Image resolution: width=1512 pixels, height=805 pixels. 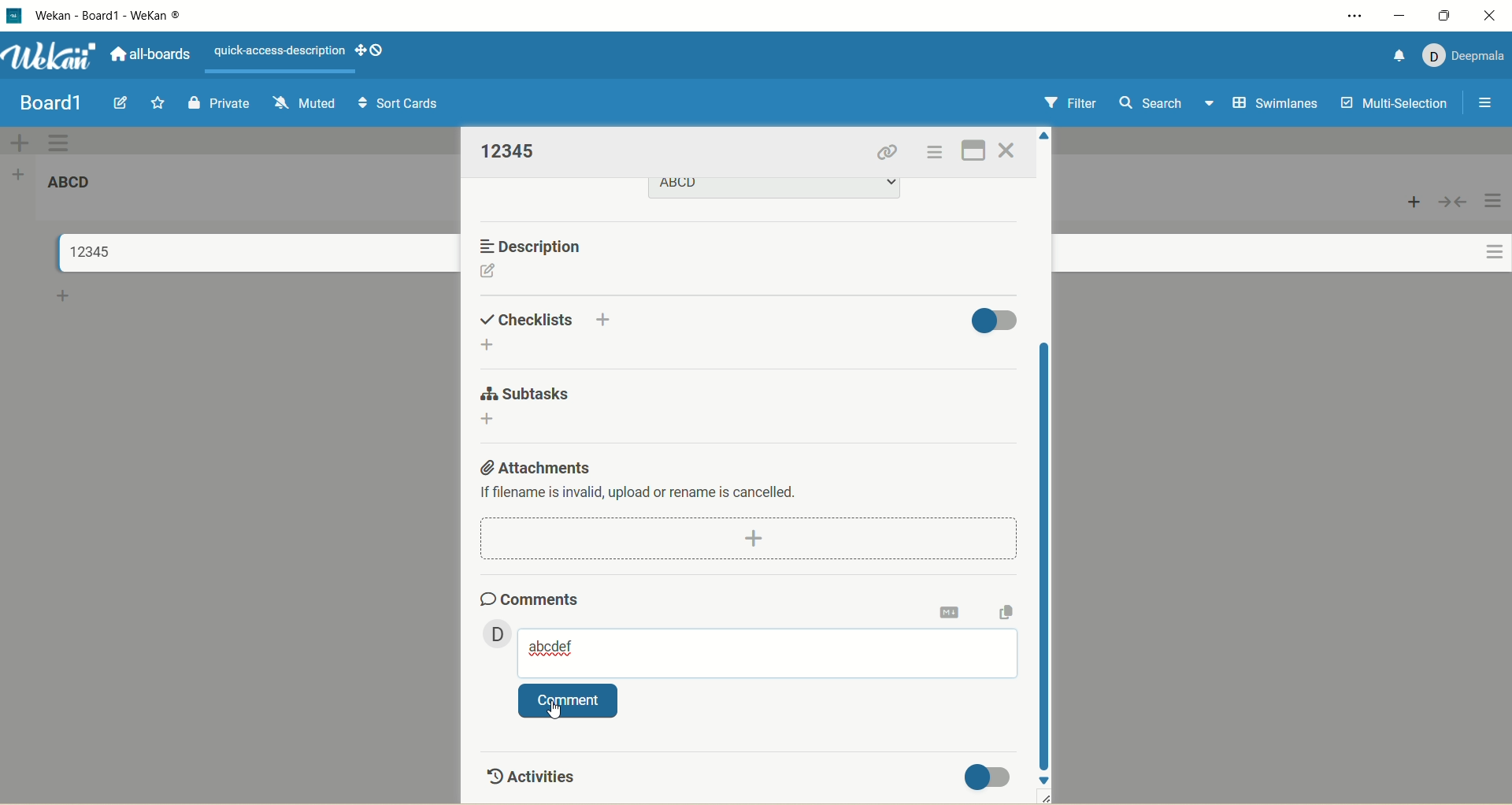 I want to click on text, so click(x=280, y=51).